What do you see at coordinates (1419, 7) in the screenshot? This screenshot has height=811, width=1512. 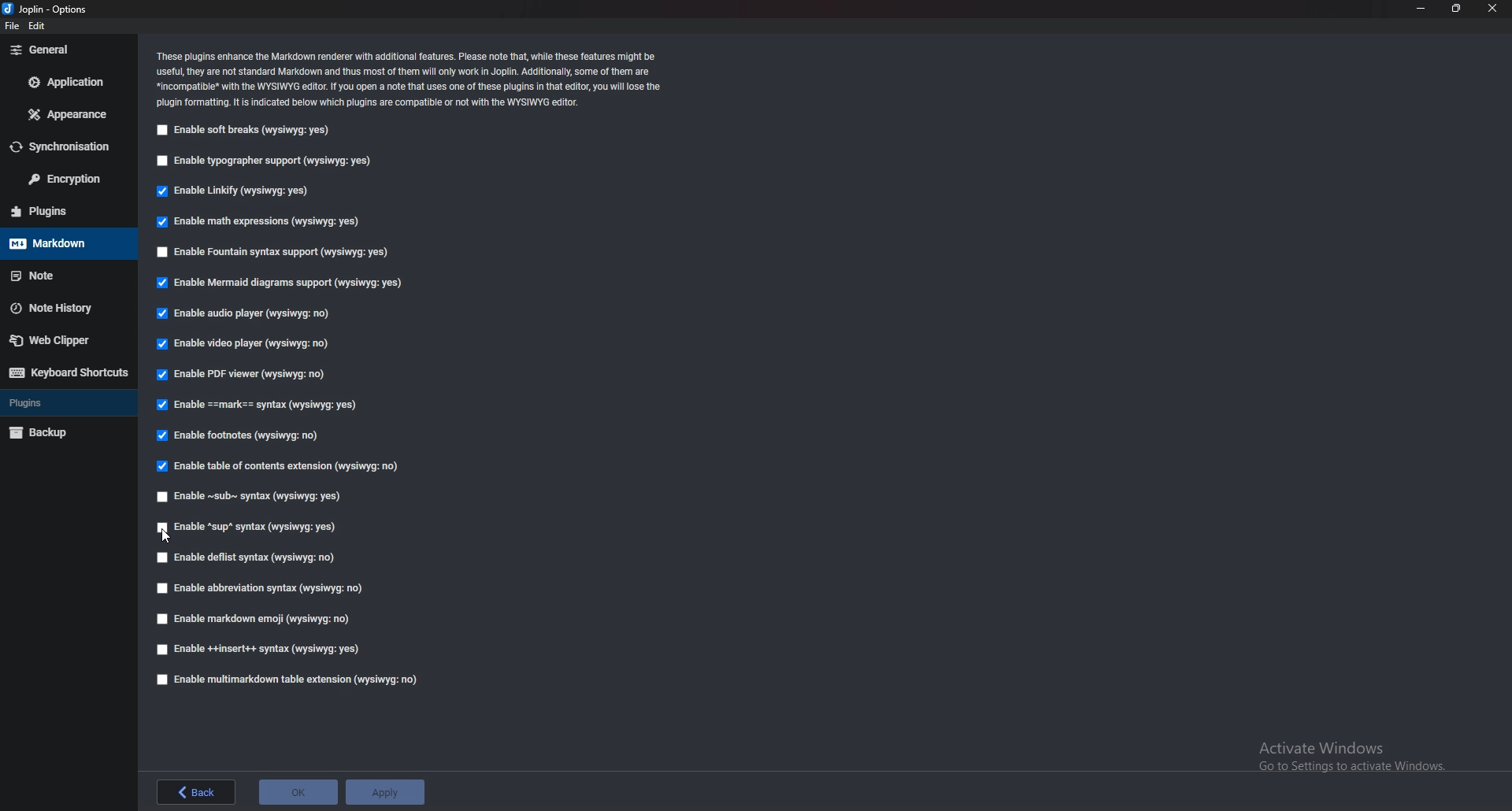 I see `minimize` at bounding box center [1419, 7].